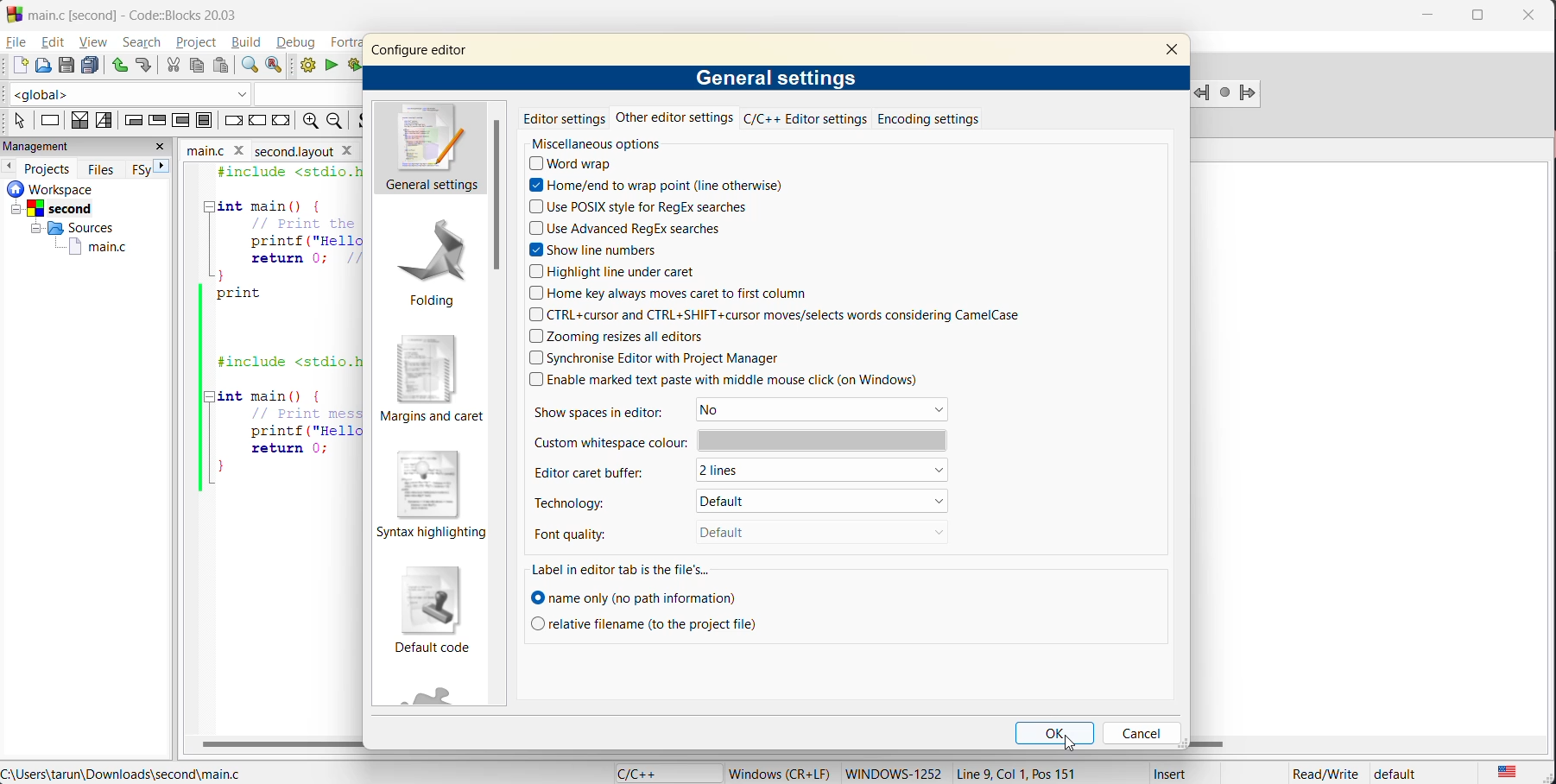 This screenshot has width=1556, height=784. What do you see at coordinates (196, 43) in the screenshot?
I see `project` at bounding box center [196, 43].